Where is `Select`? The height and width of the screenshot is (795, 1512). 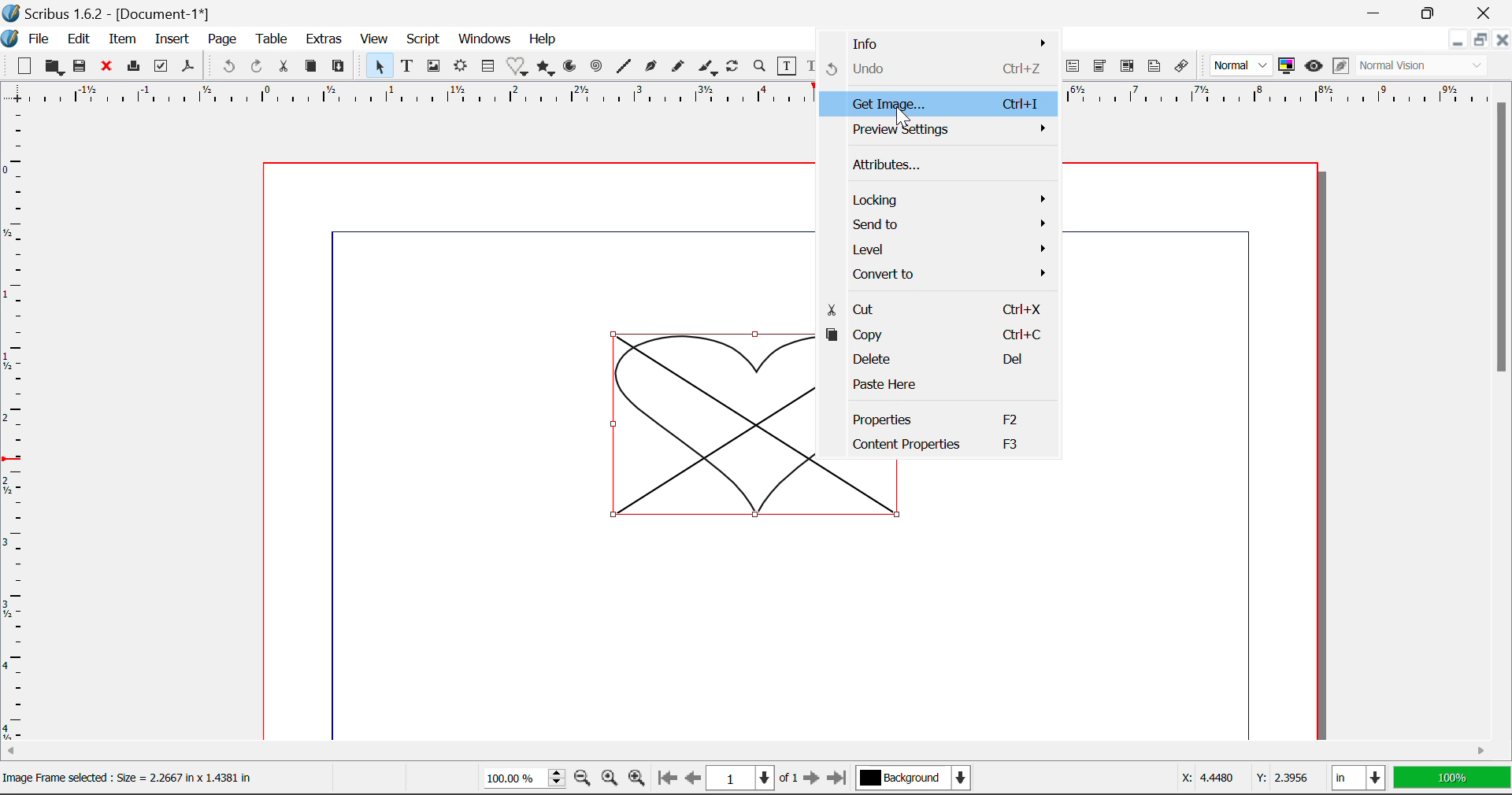 Select is located at coordinates (379, 66).